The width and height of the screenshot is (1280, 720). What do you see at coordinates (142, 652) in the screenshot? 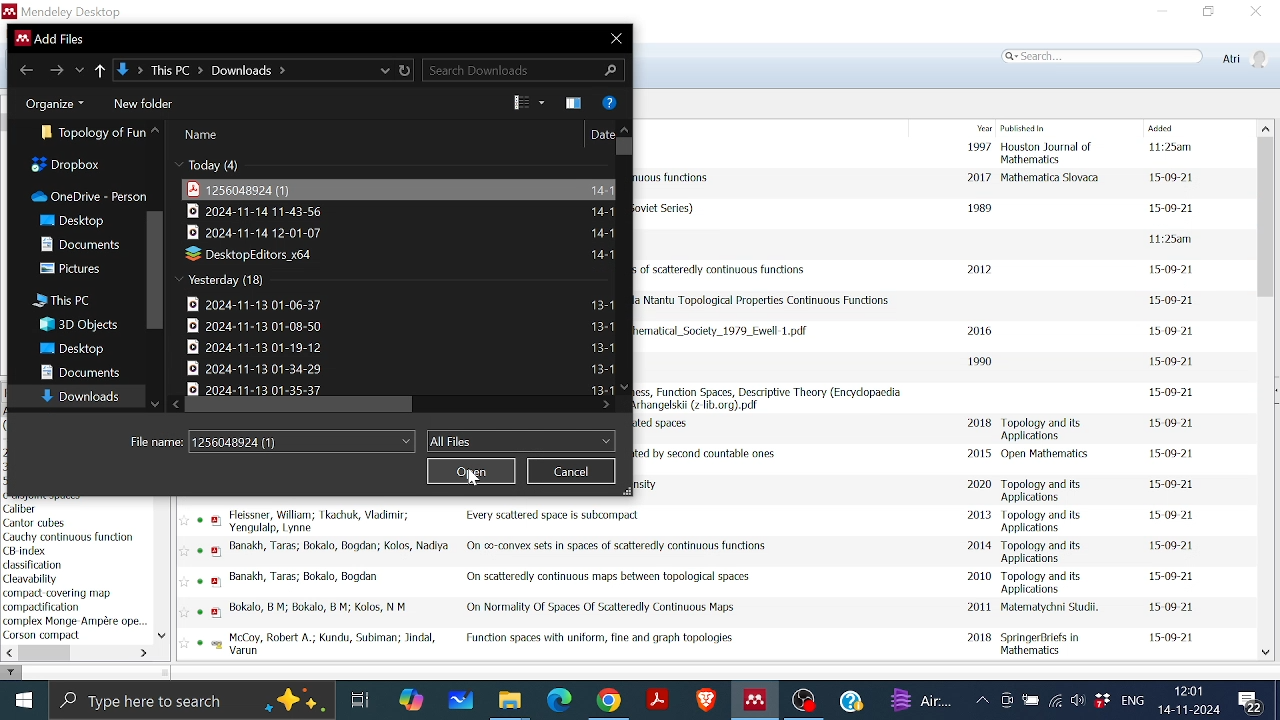
I see `Move left` at bounding box center [142, 652].